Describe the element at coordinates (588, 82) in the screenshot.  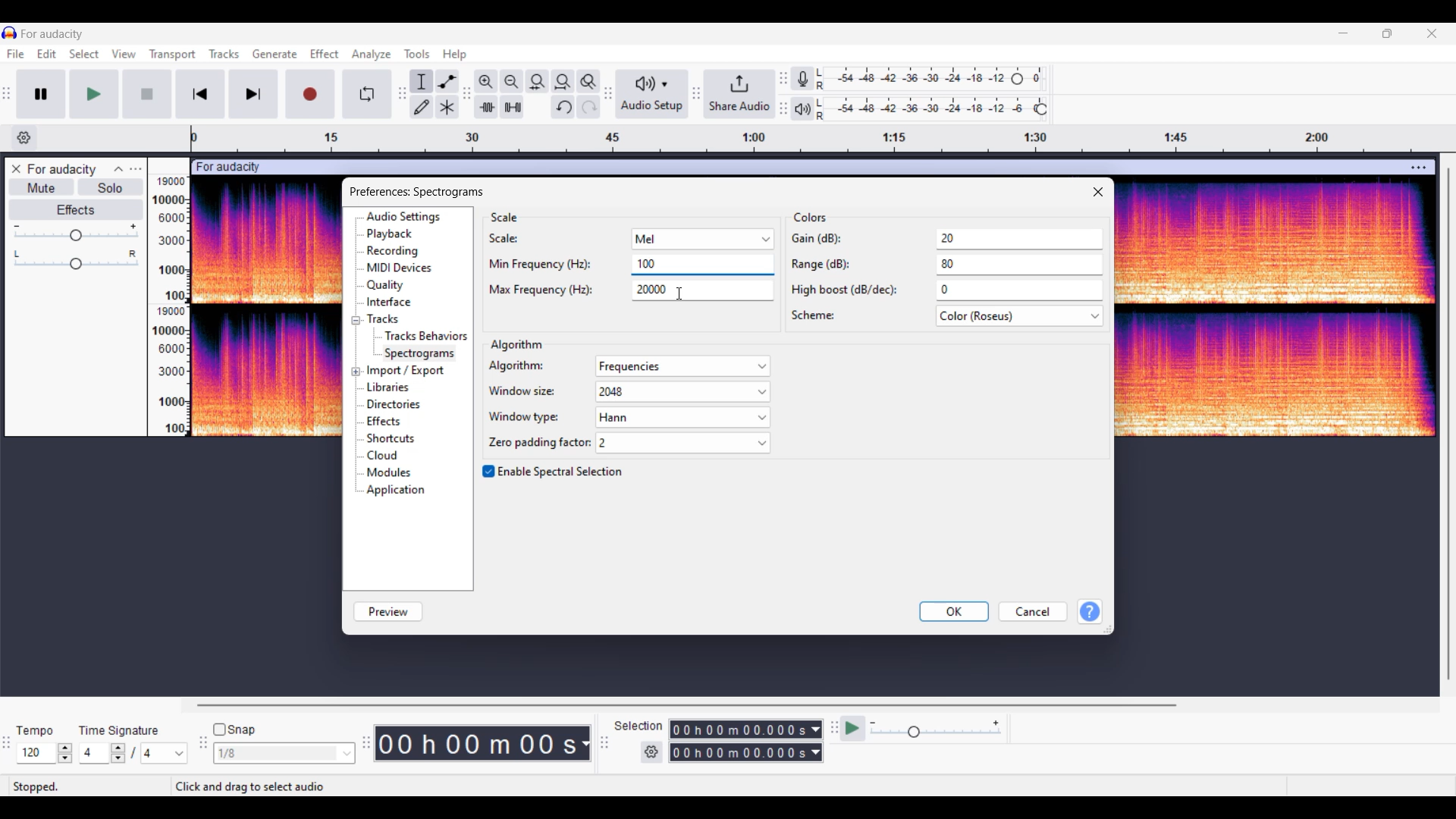
I see `Zoom toggle` at that location.